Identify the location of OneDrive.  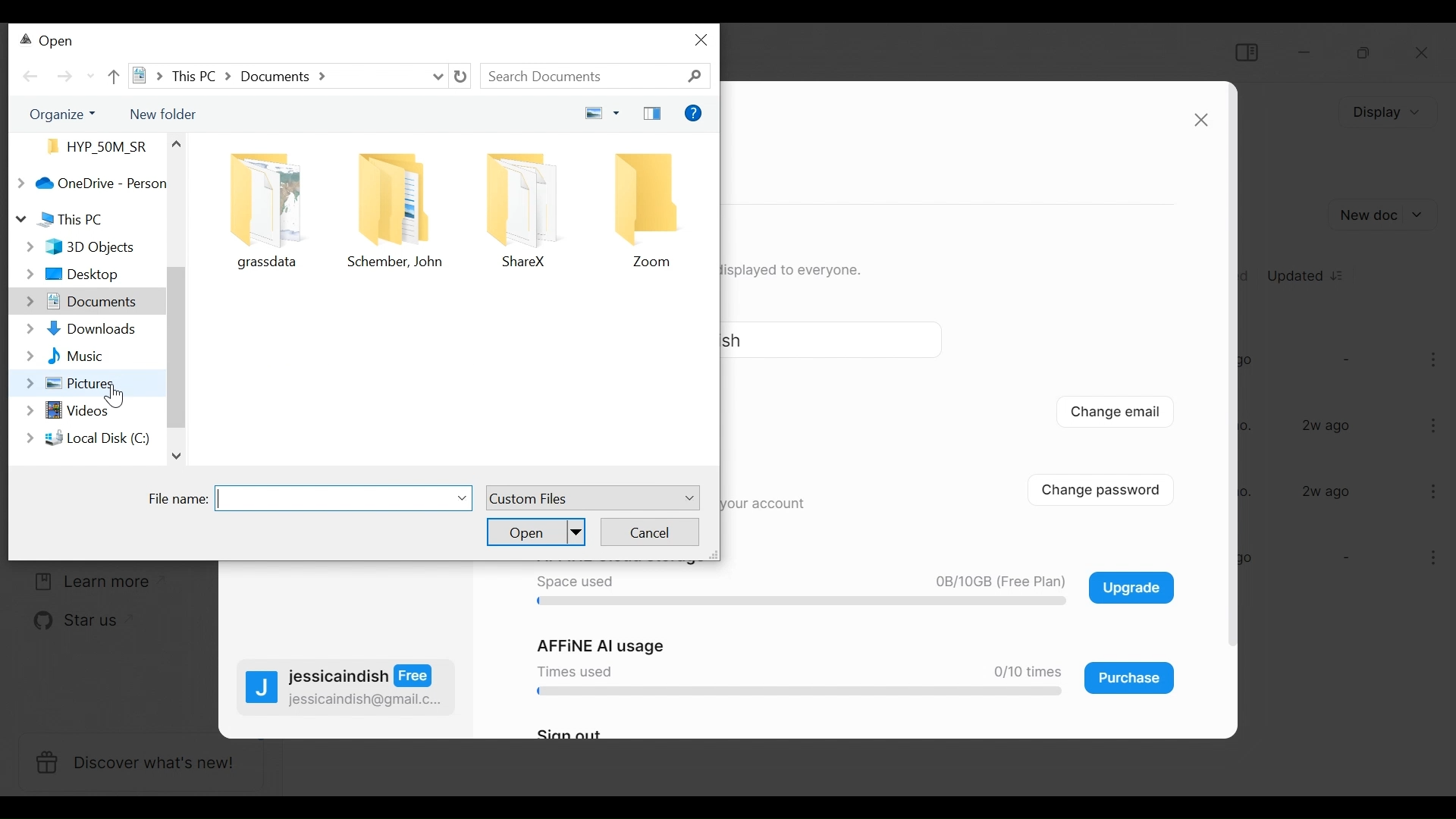
(87, 183).